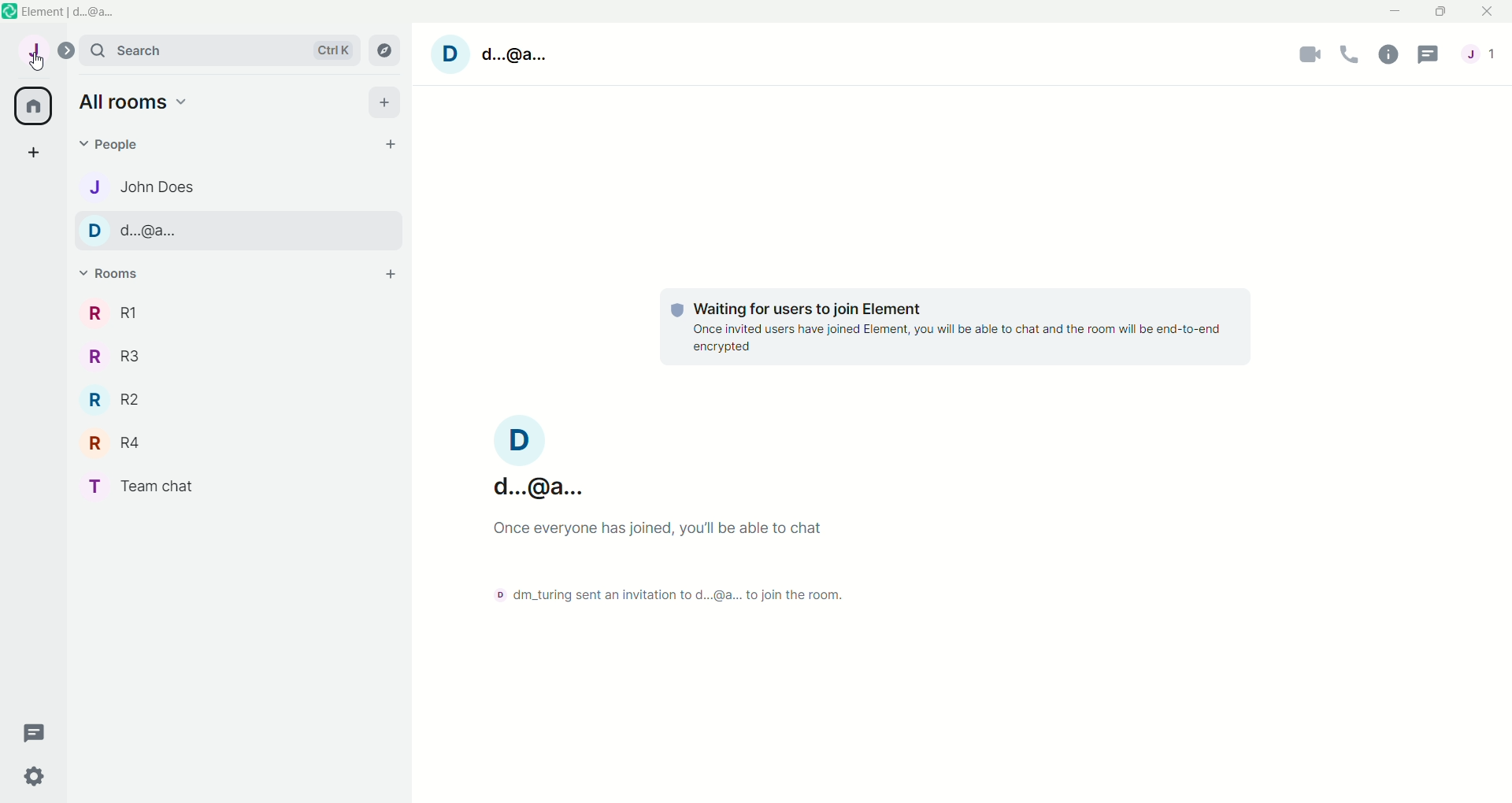 Image resolution: width=1512 pixels, height=803 pixels. Describe the element at coordinates (35, 776) in the screenshot. I see `Quick settings` at that location.